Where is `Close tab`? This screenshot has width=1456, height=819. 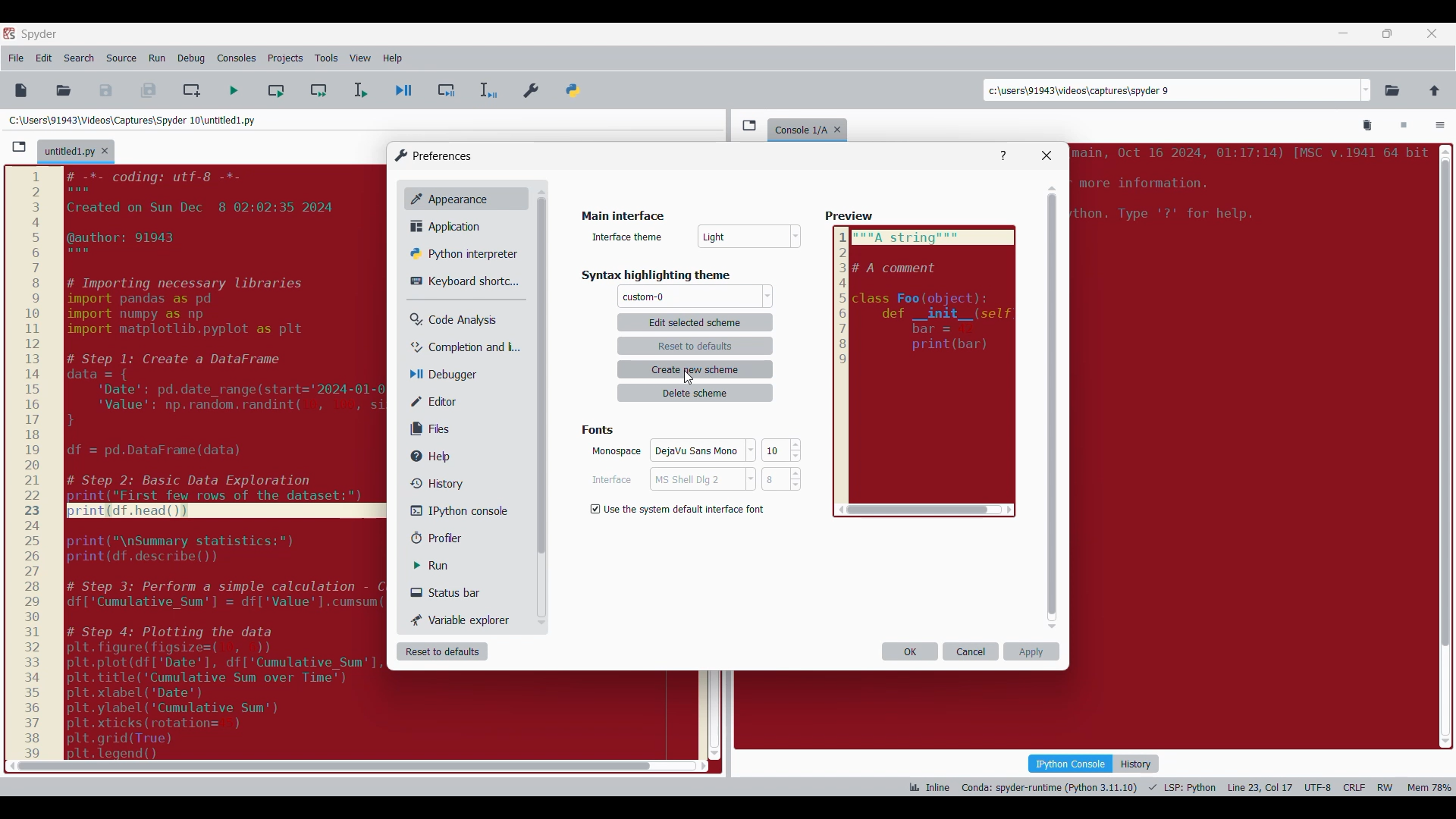
Close tab is located at coordinates (105, 151).